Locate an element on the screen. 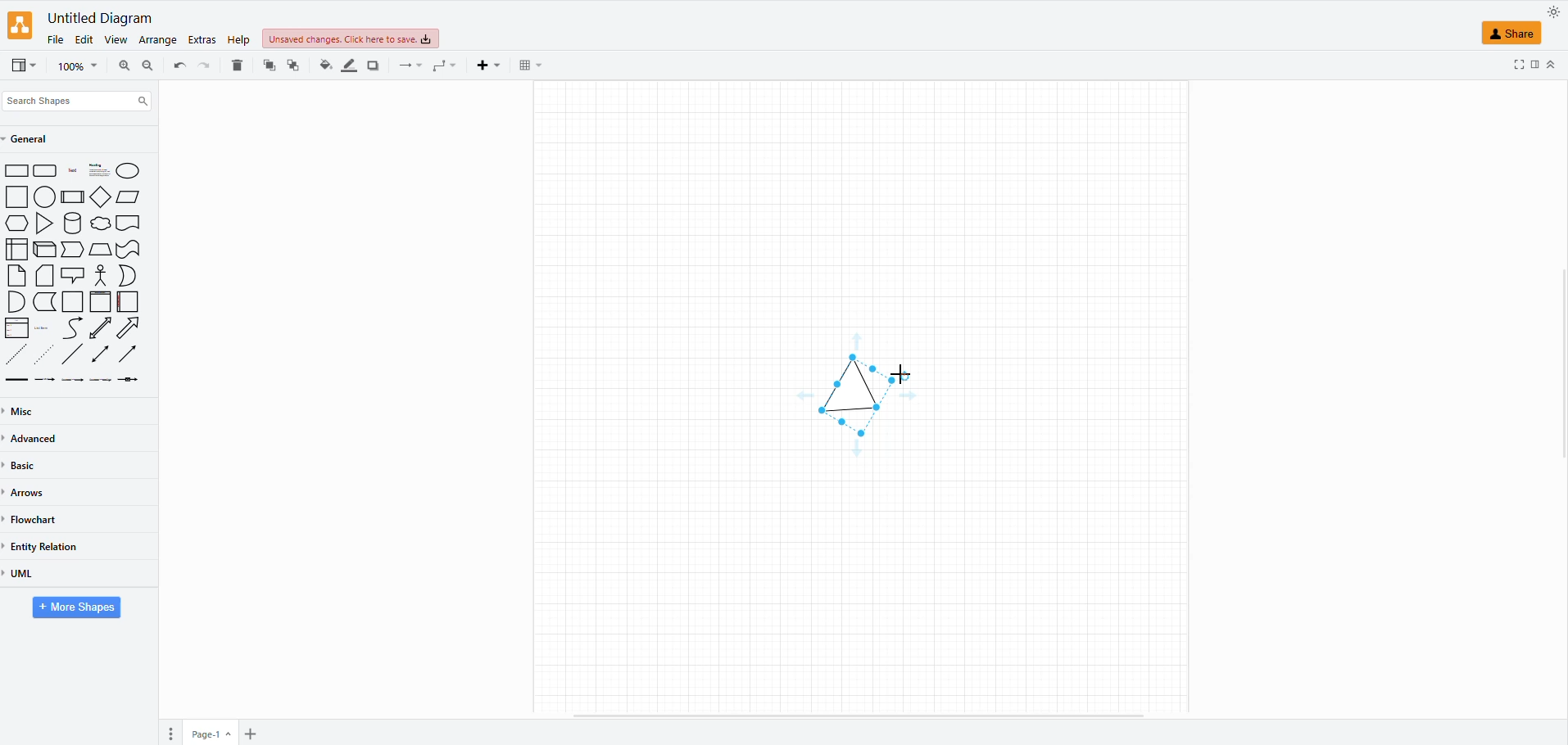 The image size is (1568, 745). magnifier is located at coordinates (70, 69).